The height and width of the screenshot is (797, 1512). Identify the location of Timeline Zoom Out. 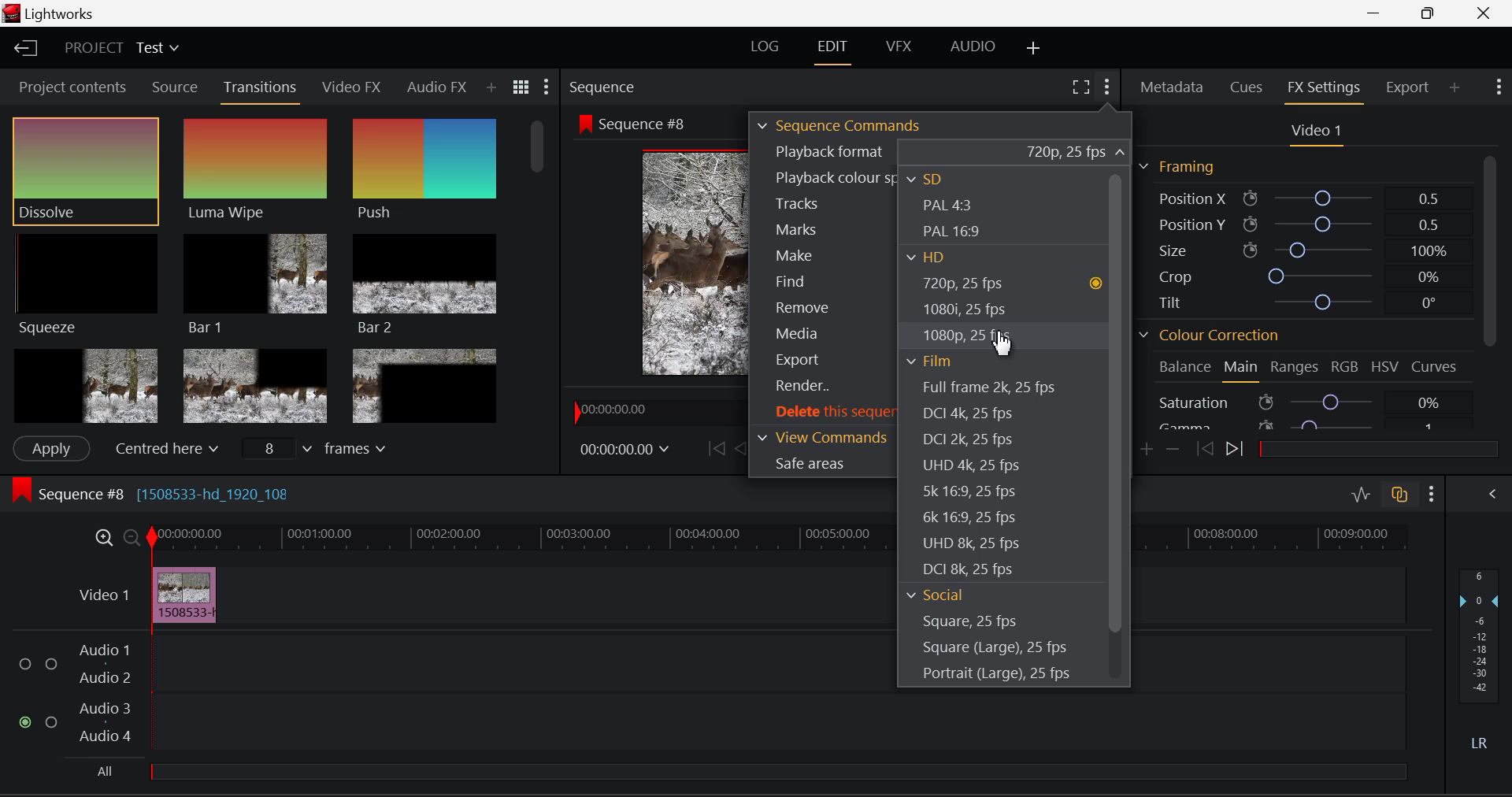
(131, 539).